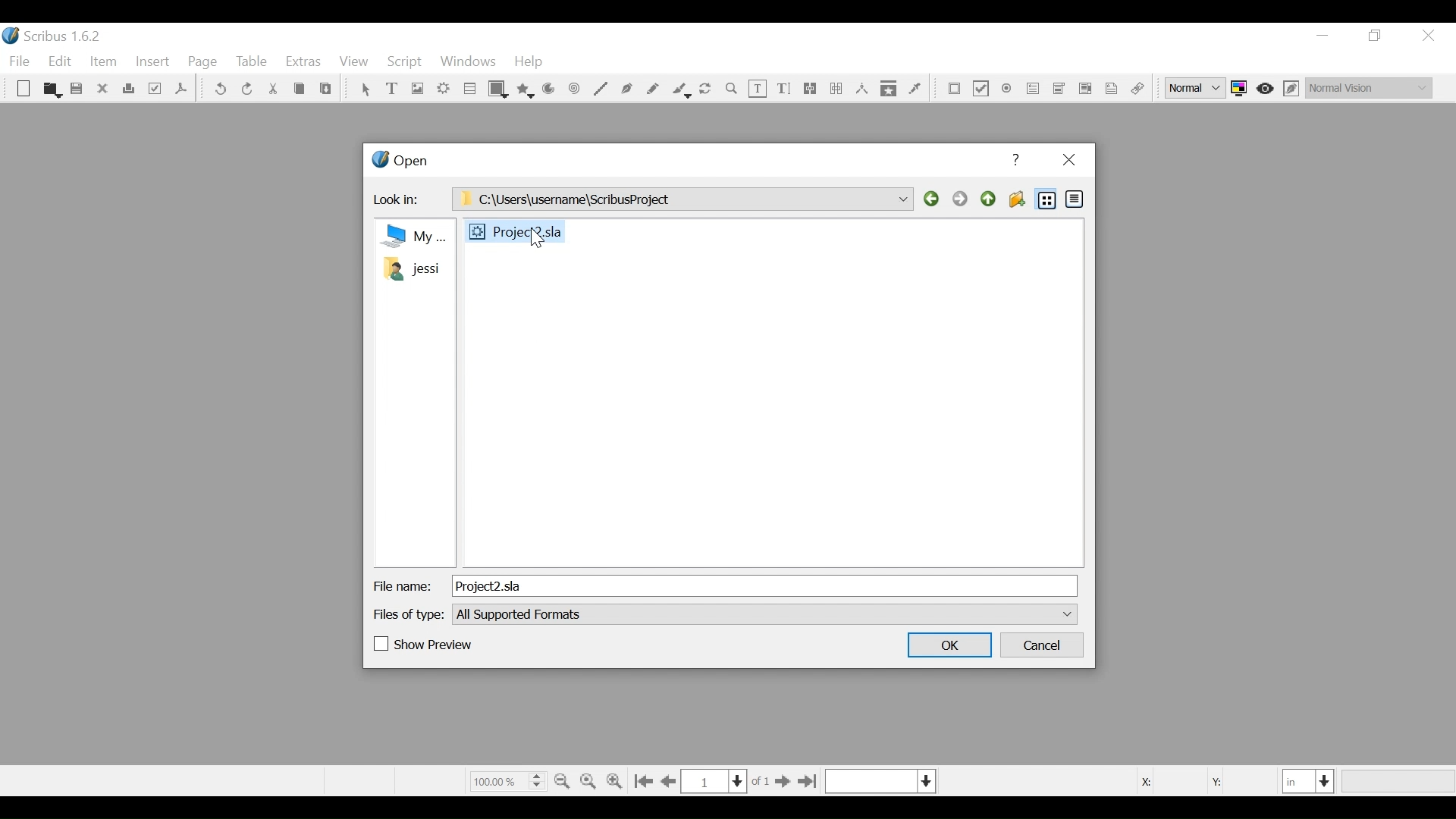 The width and height of the screenshot is (1456, 819). I want to click on Select the current unit, so click(1309, 780).